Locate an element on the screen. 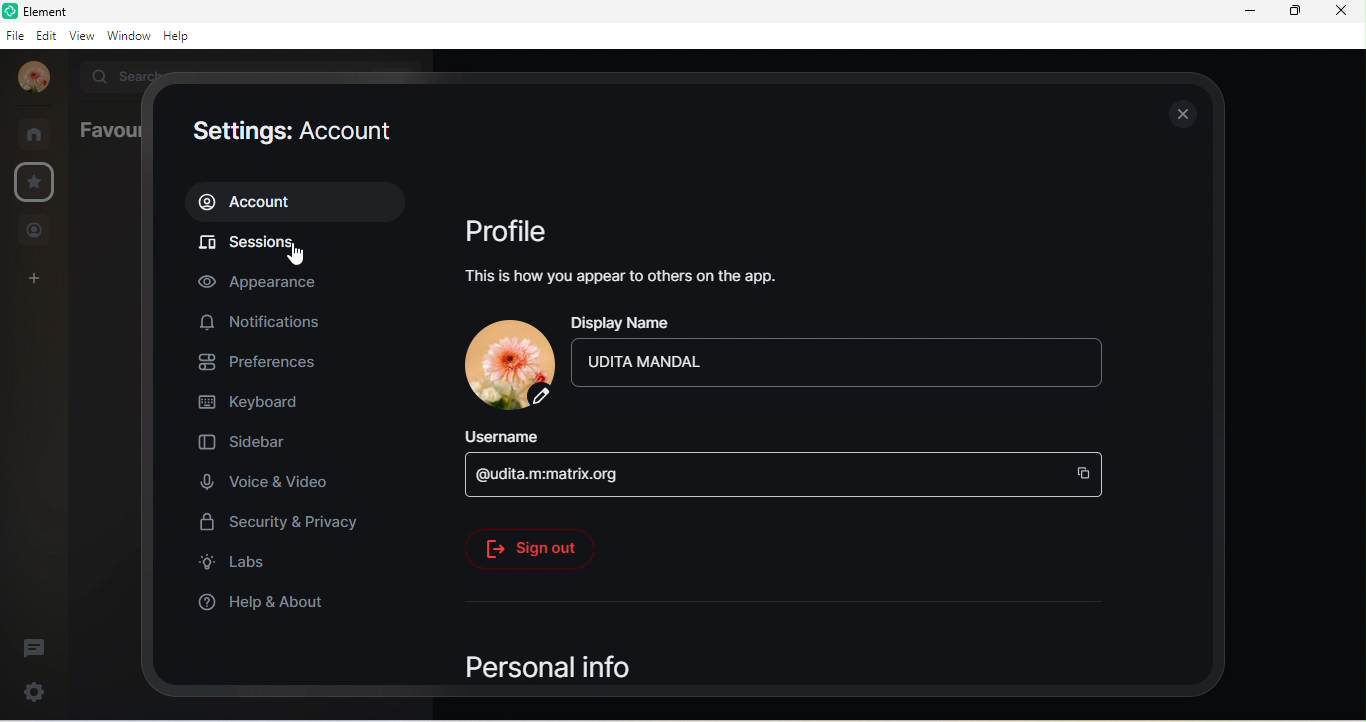  maximize is located at coordinates (1293, 10).